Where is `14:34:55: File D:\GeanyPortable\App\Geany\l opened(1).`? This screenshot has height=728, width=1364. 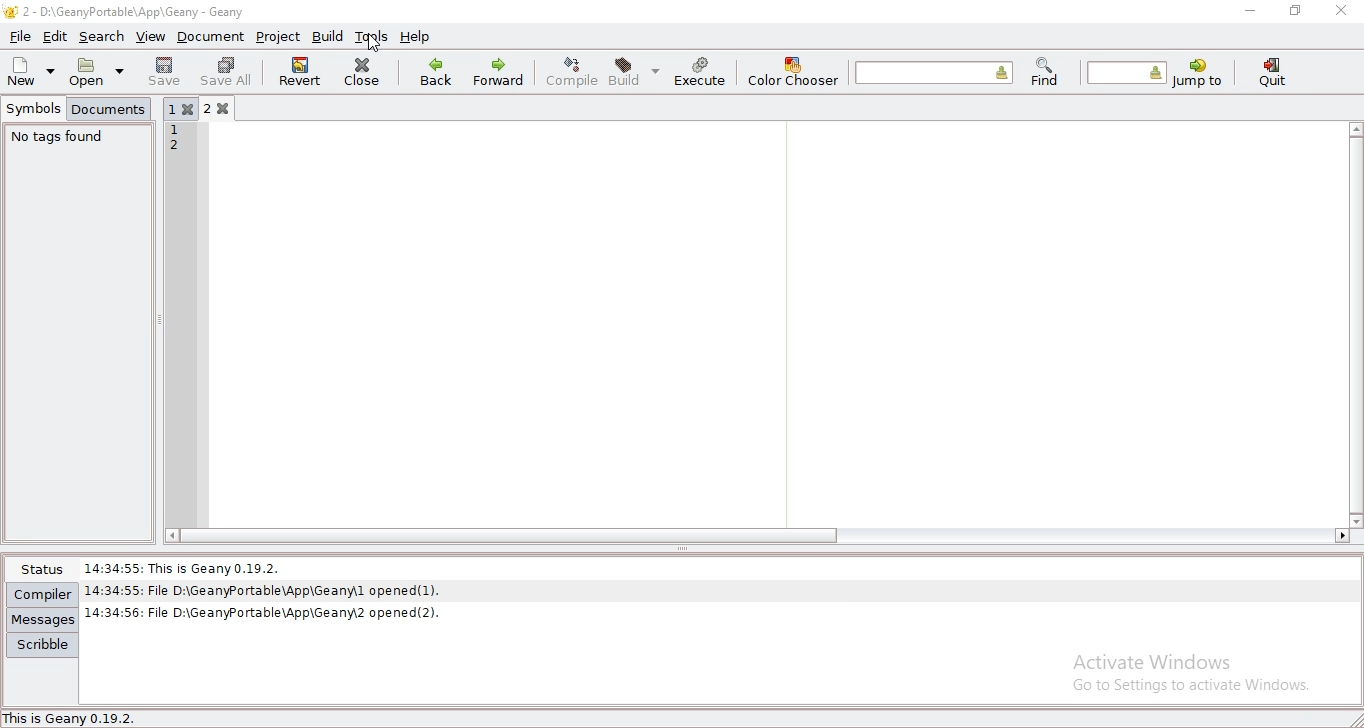
14:34:55: File D:\GeanyPortable\App\Geany\l opened(1). is located at coordinates (264, 588).